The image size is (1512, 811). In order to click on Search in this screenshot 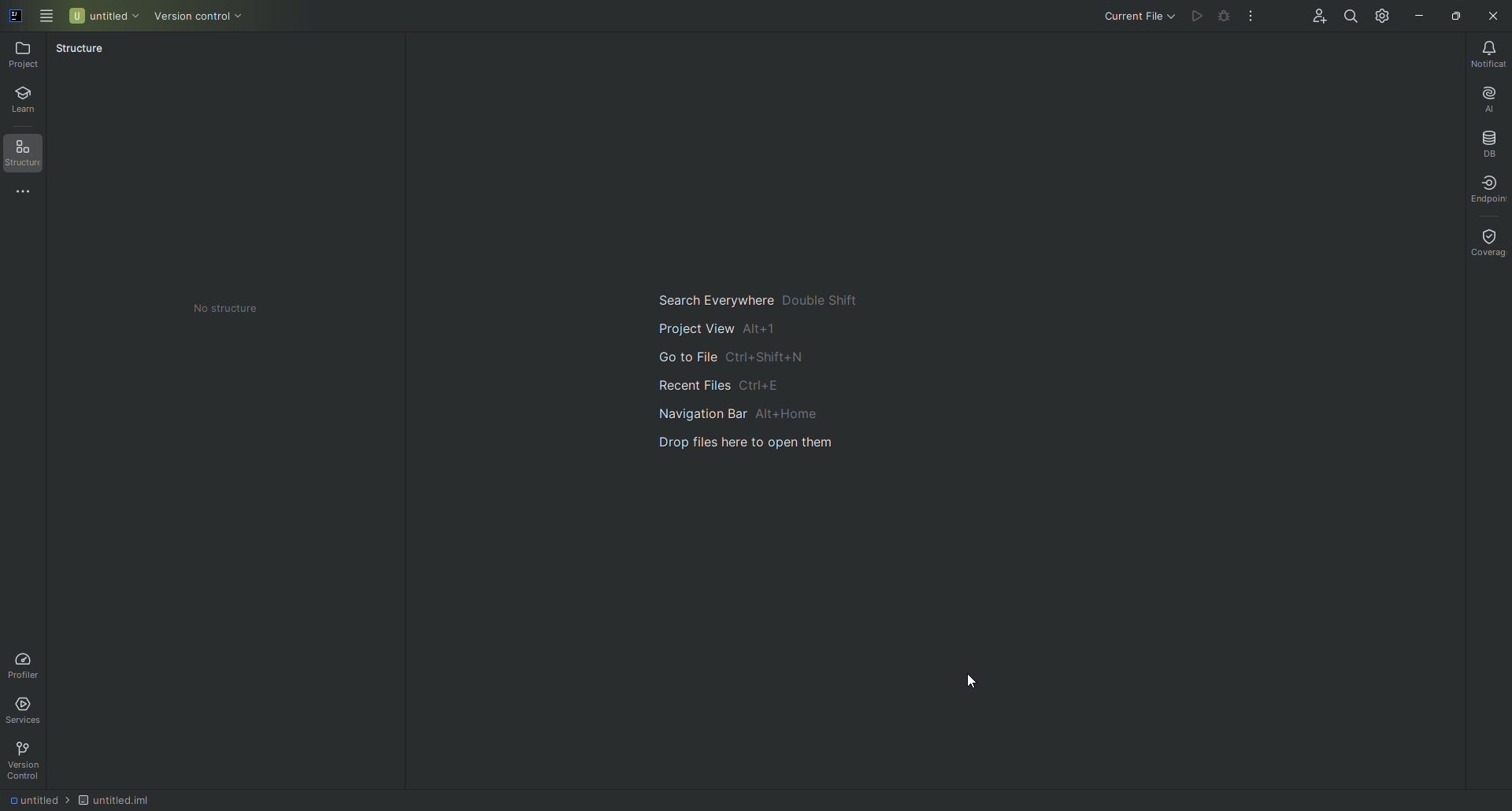, I will do `click(1351, 17)`.